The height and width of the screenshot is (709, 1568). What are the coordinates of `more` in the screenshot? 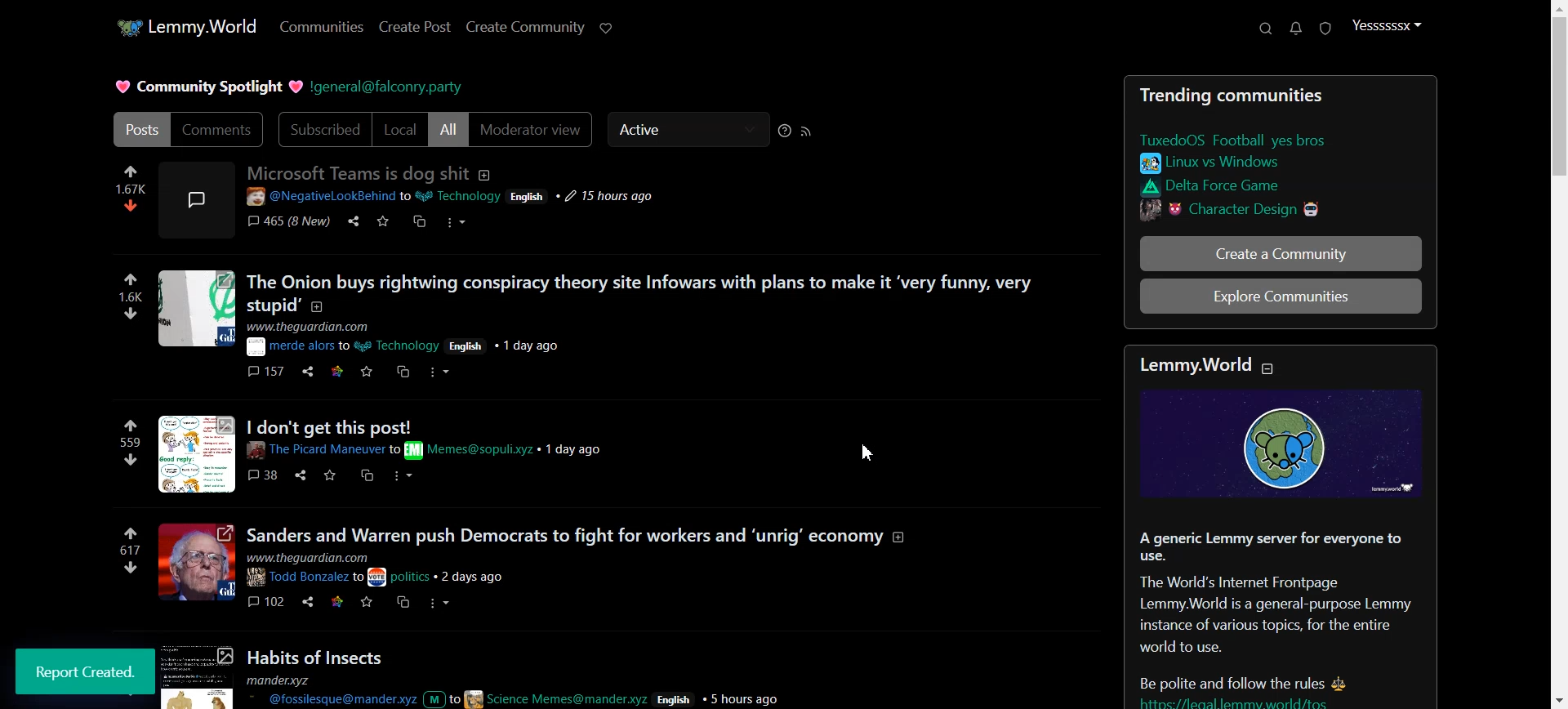 It's located at (443, 603).